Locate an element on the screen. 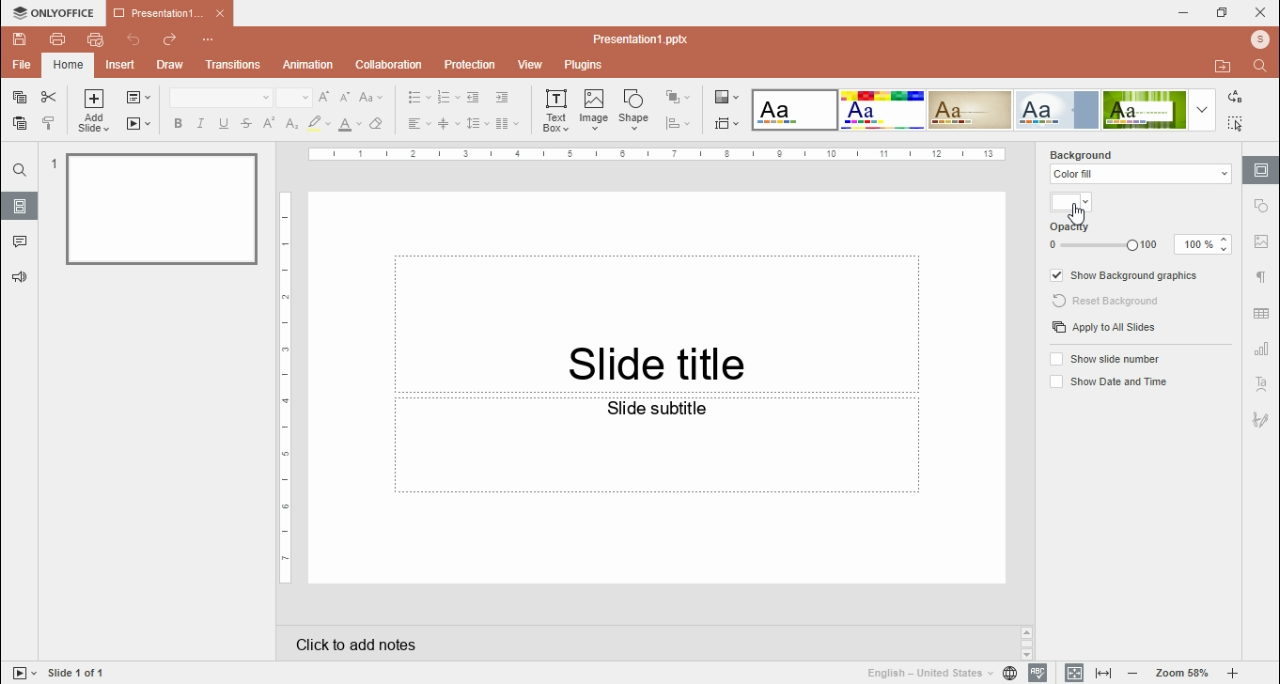  open file location is located at coordinates (1224, 68).